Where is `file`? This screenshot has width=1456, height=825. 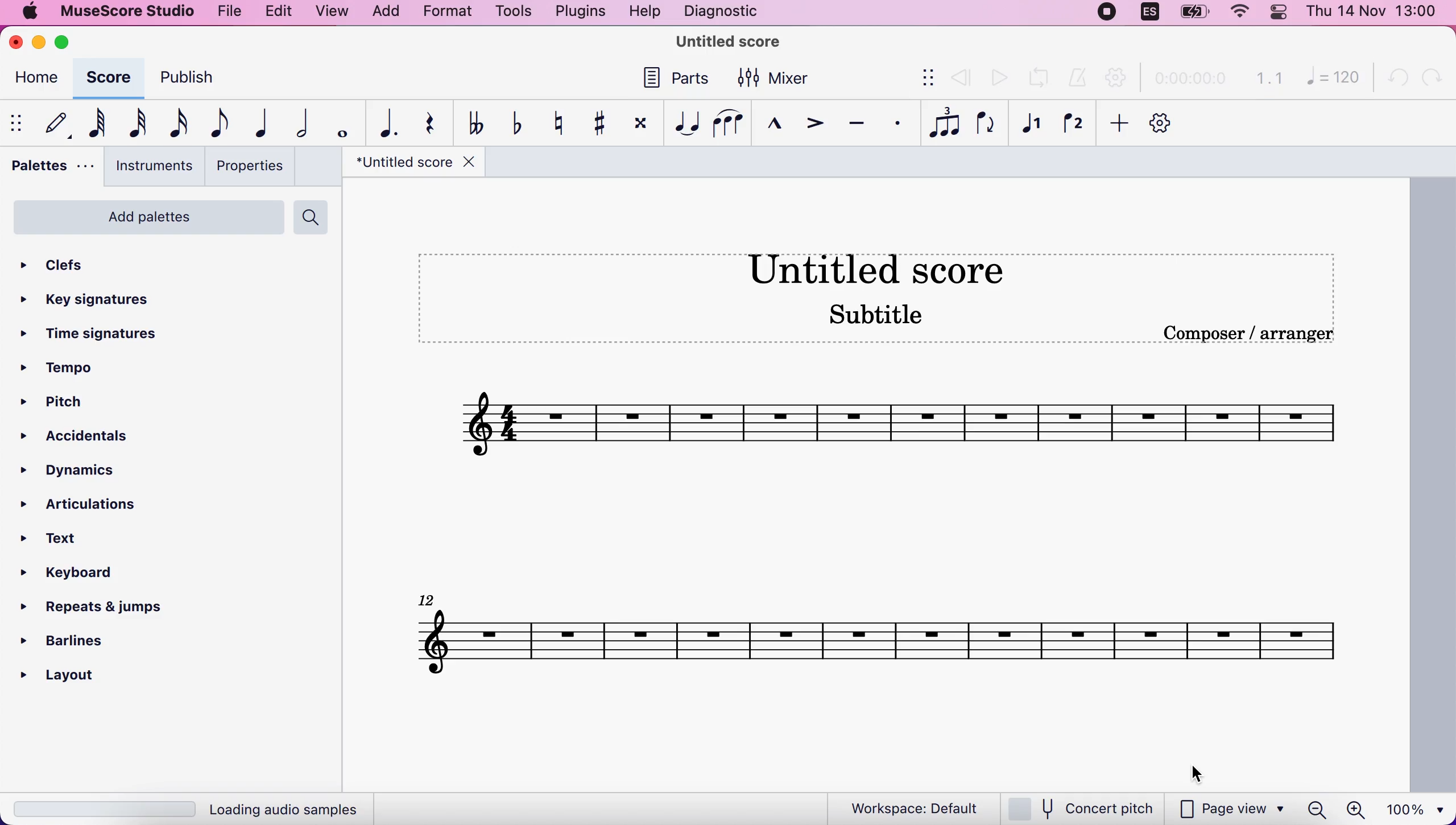
file is located at coordinates (229, 11).